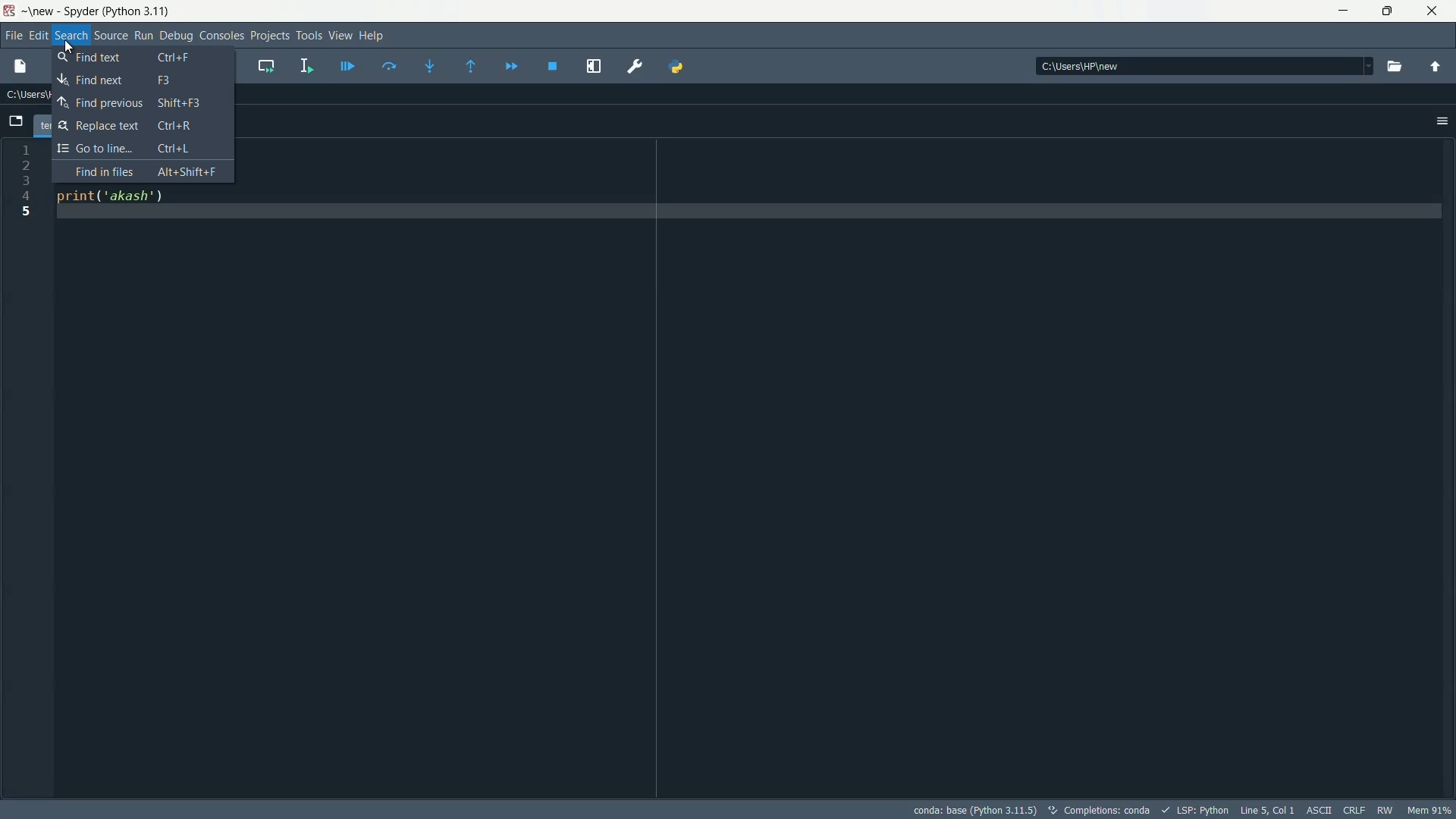  I want to click on run current cell and go to the next one, so click(265, 65).